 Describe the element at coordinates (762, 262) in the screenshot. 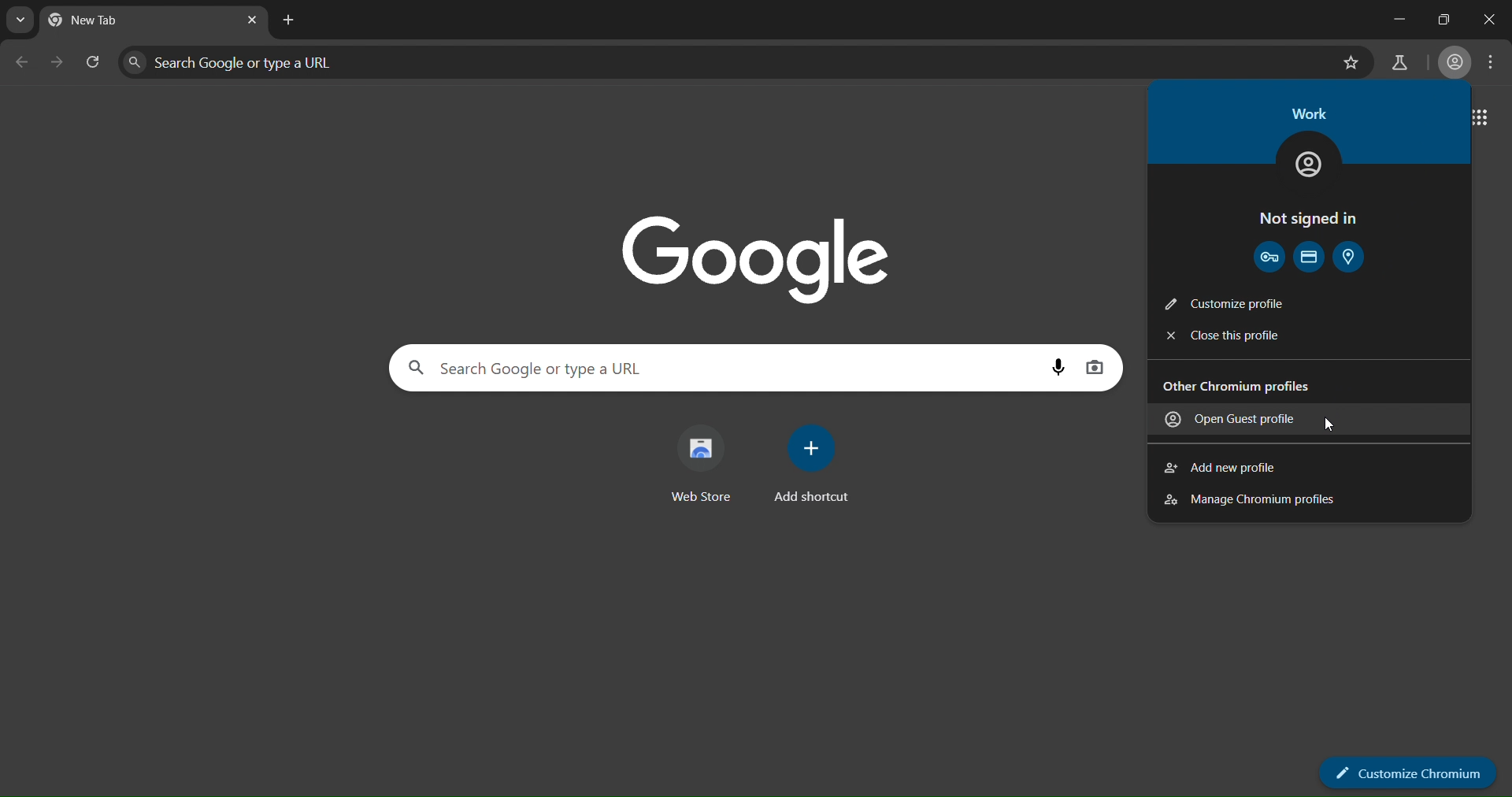

I see `google` at that location.